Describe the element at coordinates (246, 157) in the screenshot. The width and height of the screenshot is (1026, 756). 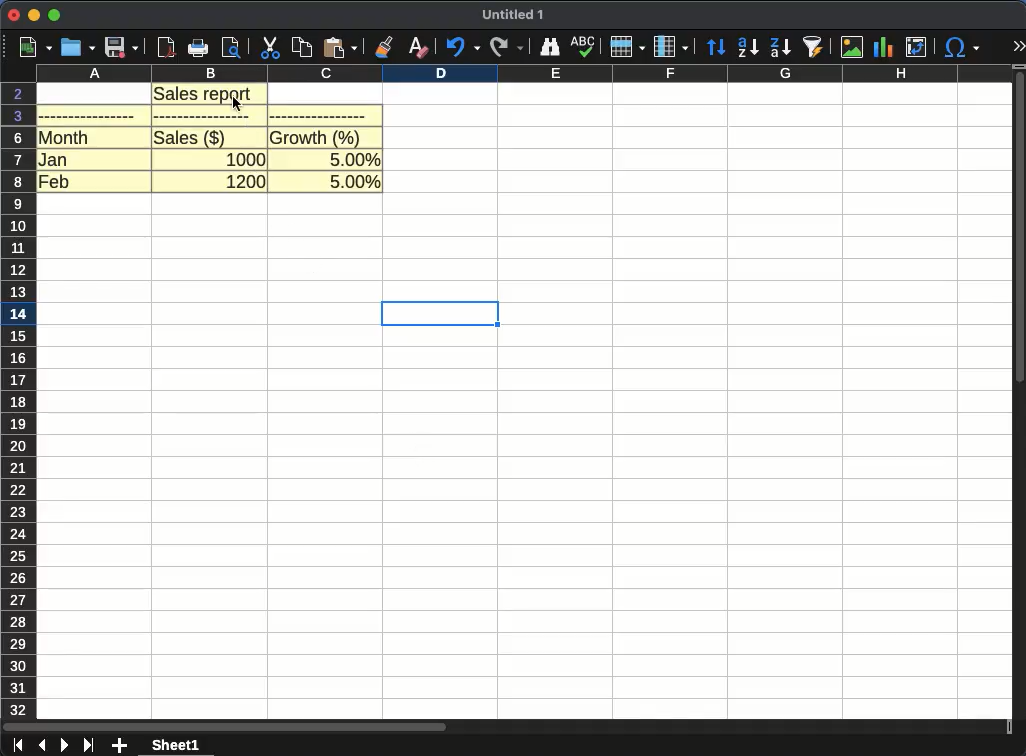
I see `1000` at that location.